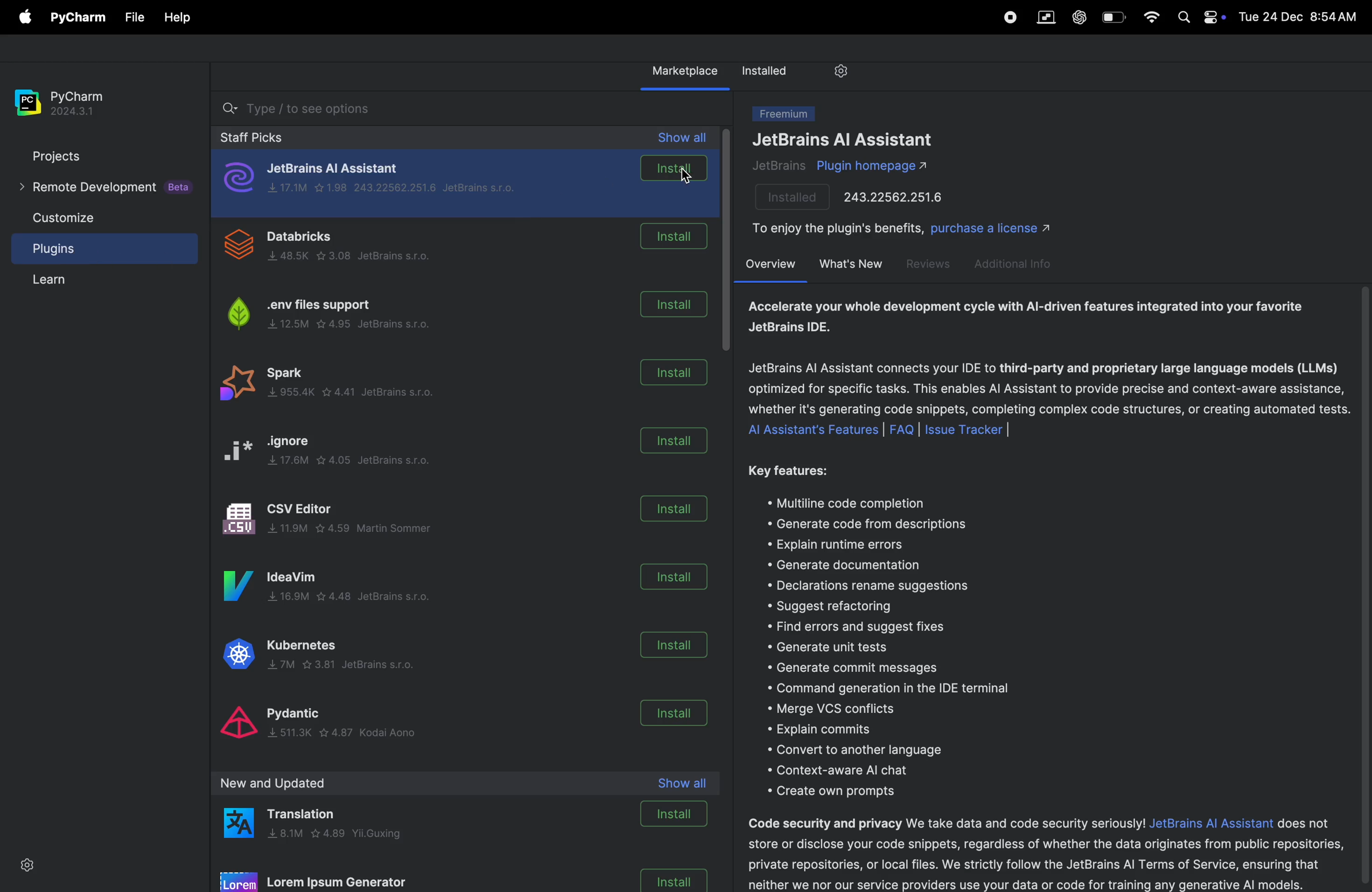  What do you see at coordinates (1197, 18) in the screenshot?
I see `apple widgets` at bounding box center [1197, 18].